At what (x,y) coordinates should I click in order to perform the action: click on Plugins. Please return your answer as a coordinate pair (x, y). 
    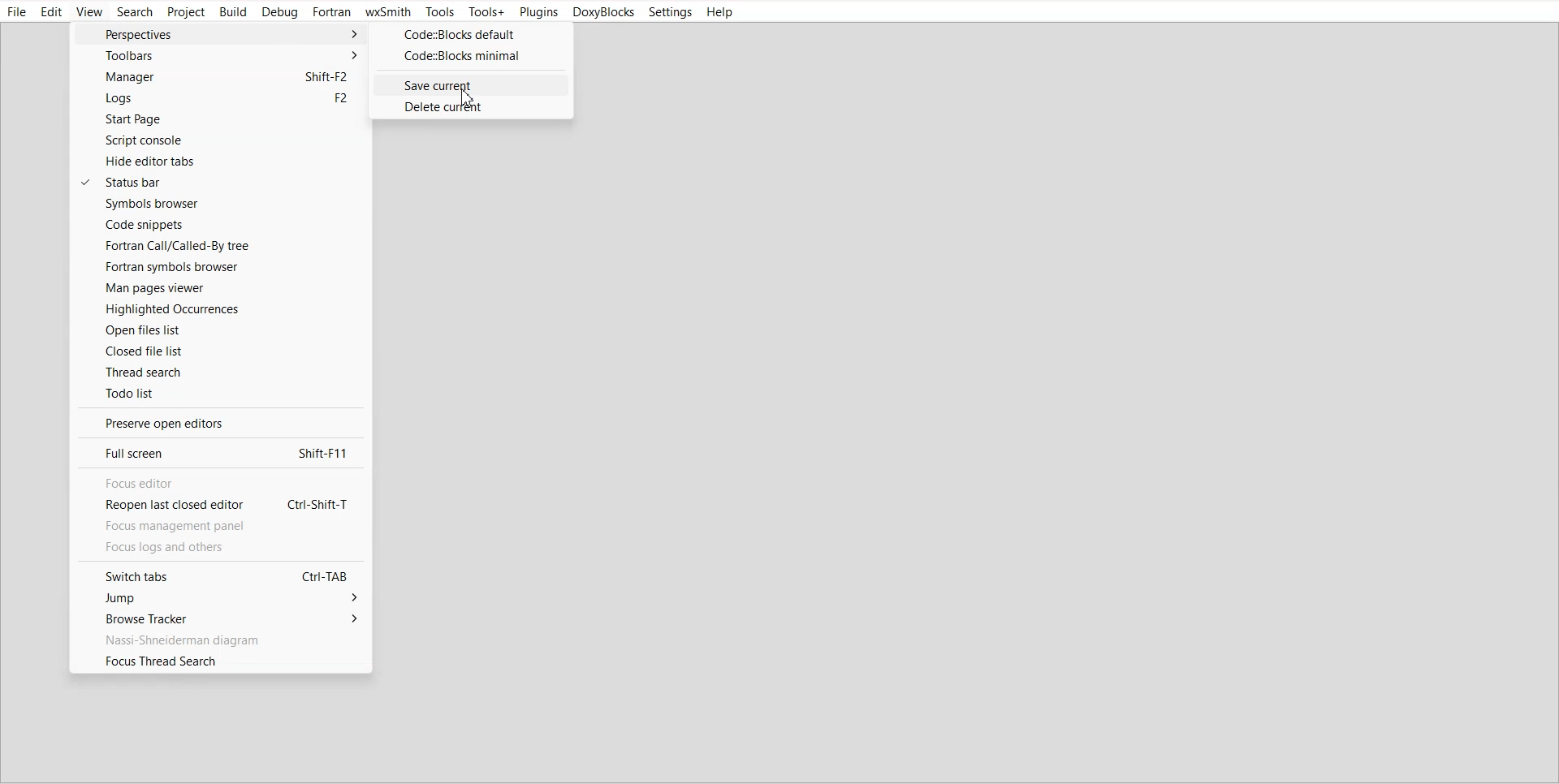
    Looking at the image, I should click on (538, 13).